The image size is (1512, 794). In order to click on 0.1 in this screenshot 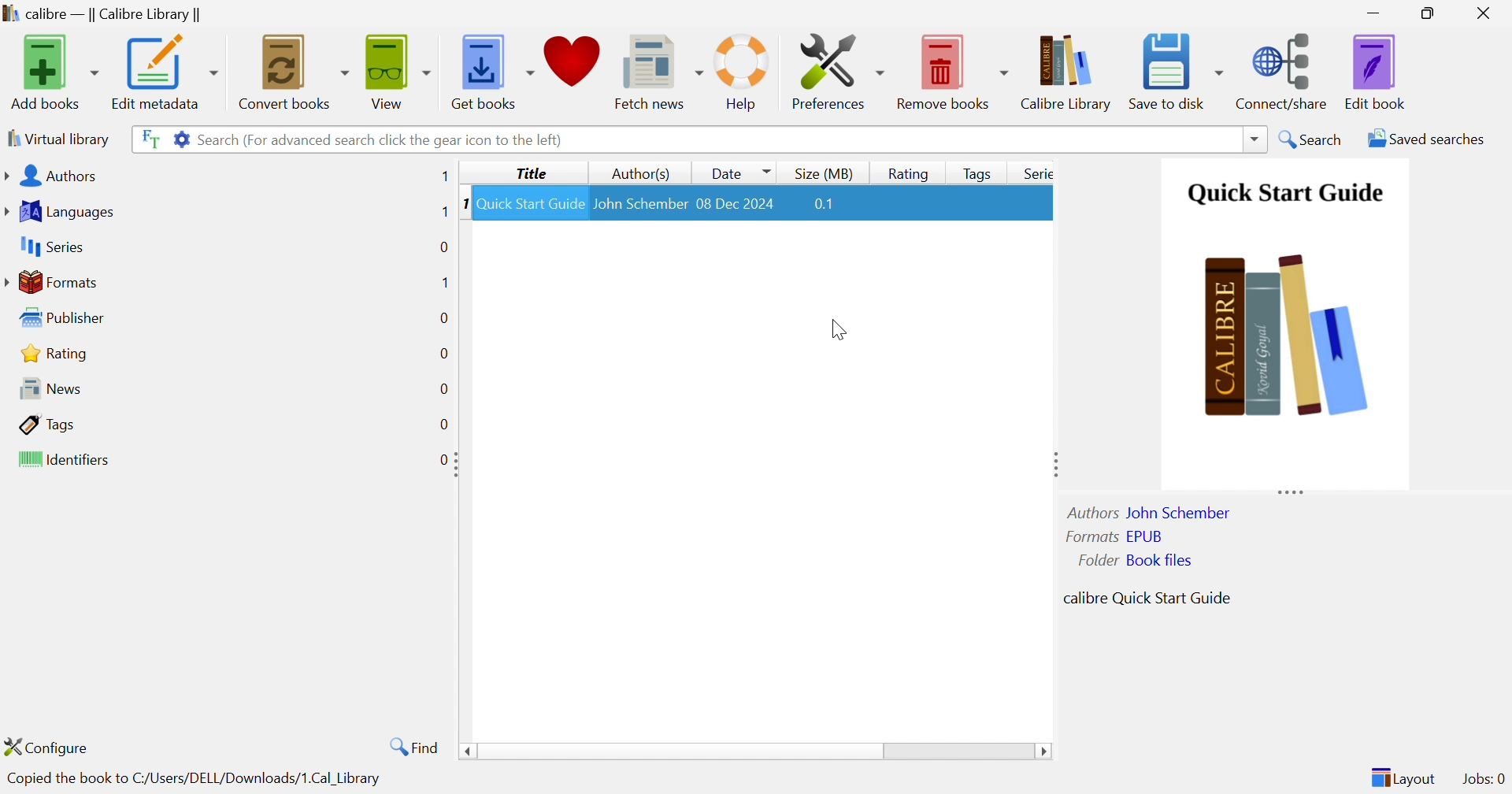, I will do `click(831, 204)`.